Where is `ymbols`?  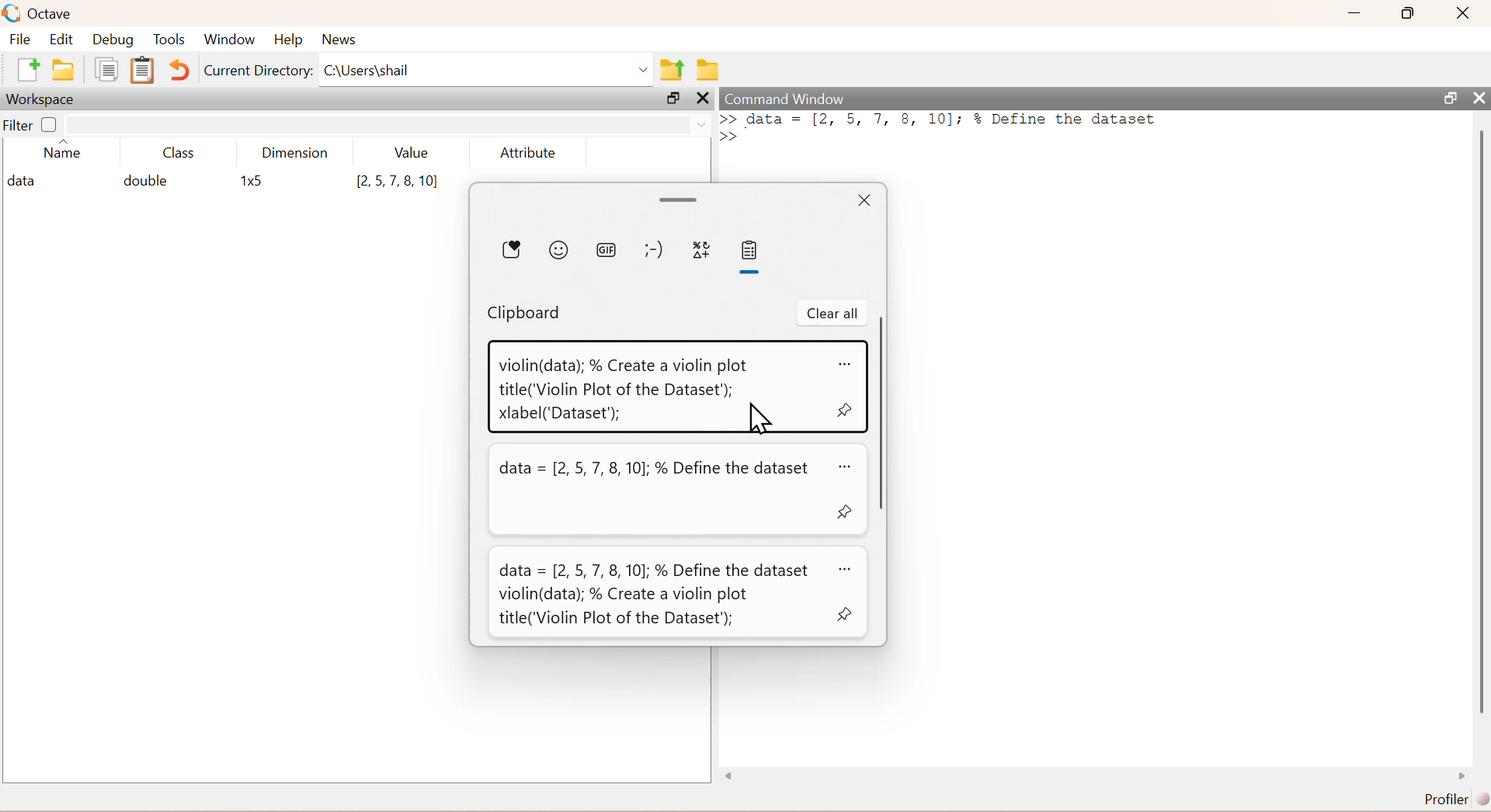
ymbols is located at coordinates (702, 251).